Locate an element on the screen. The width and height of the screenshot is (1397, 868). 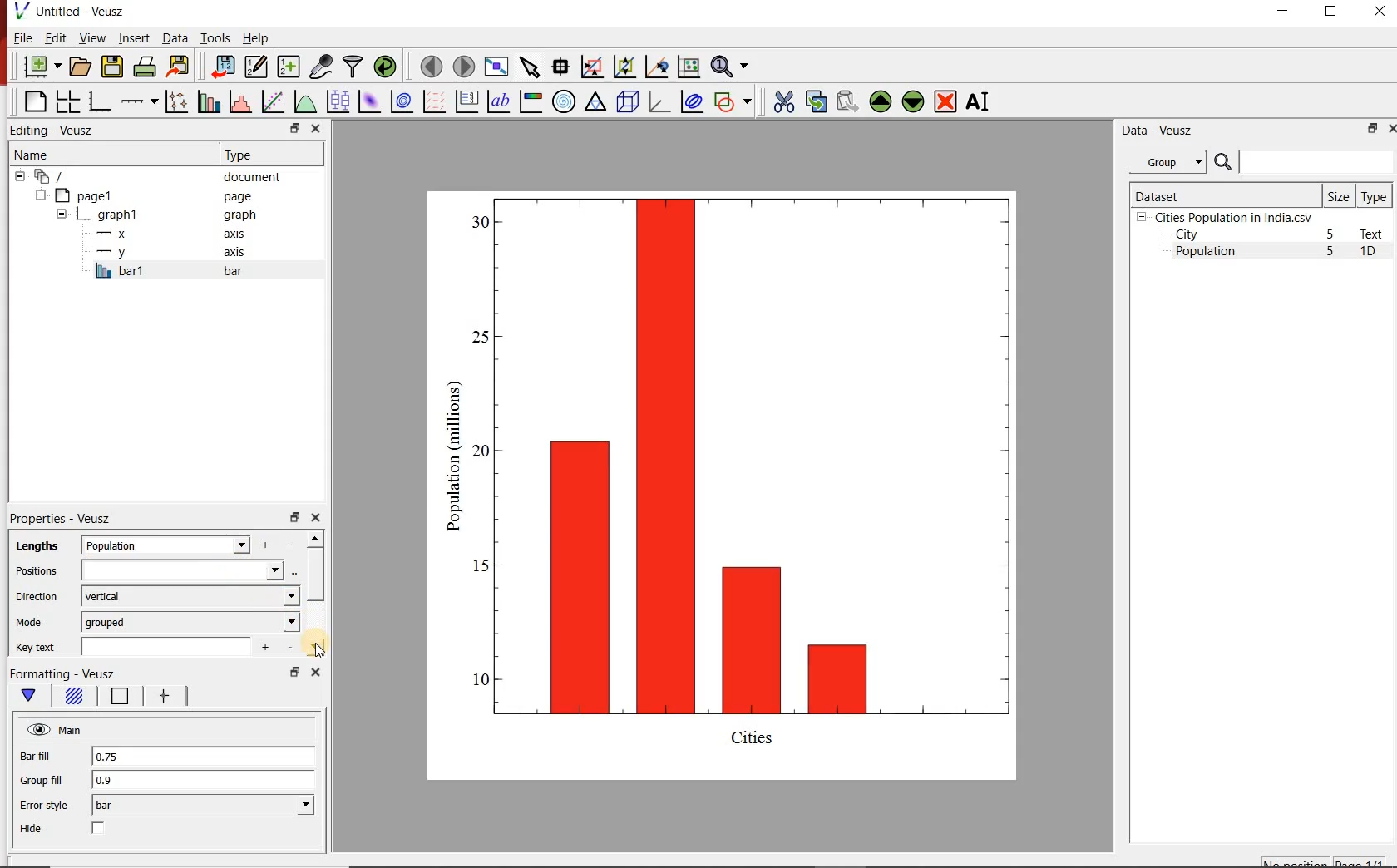
Insert is located at coordinates (133, 39).